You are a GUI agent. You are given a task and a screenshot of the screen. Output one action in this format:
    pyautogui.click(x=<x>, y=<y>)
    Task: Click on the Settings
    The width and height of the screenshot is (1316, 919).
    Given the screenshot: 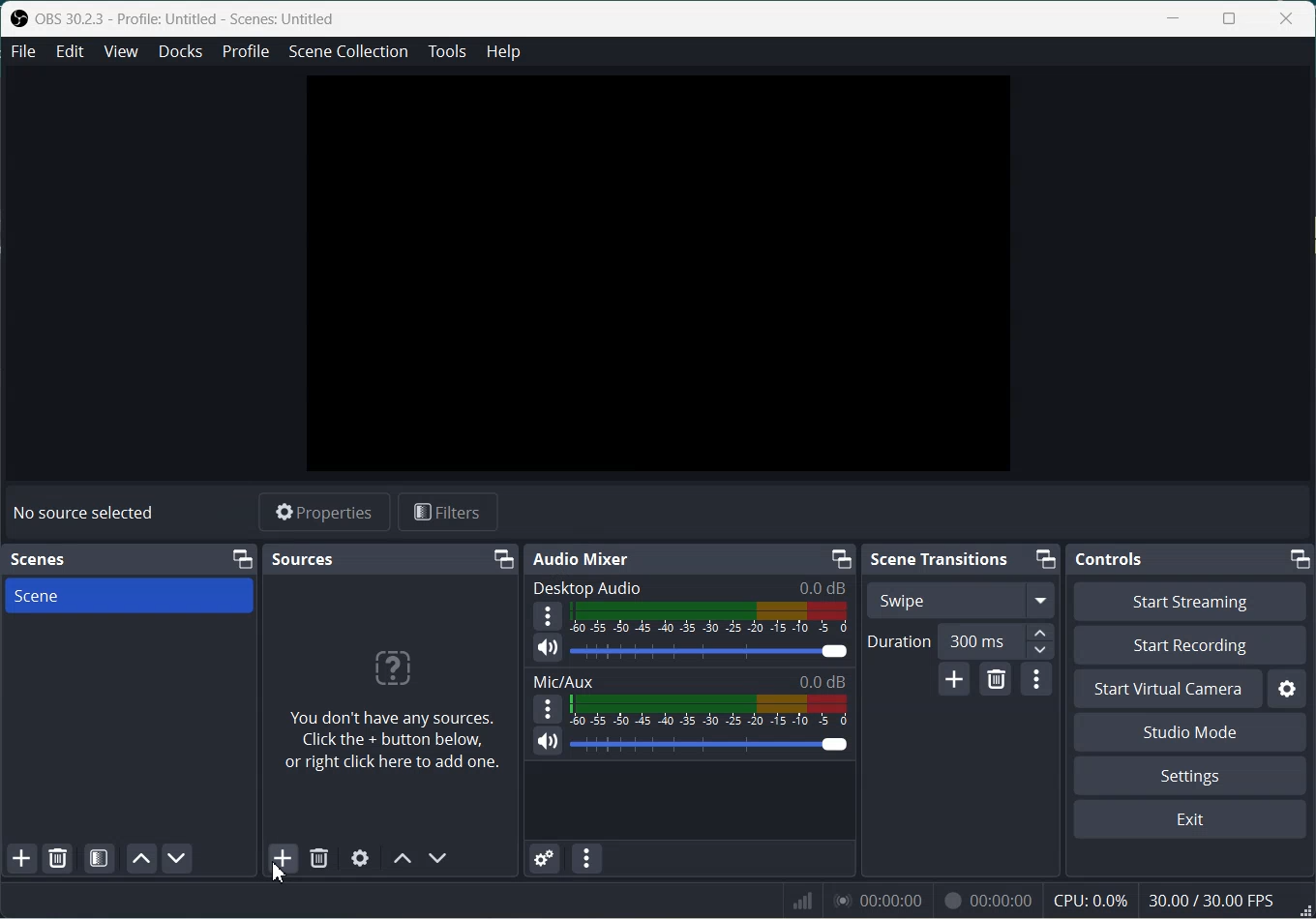 What is the action you would take?
    pyautogui.click(x=1287, y=689)
    